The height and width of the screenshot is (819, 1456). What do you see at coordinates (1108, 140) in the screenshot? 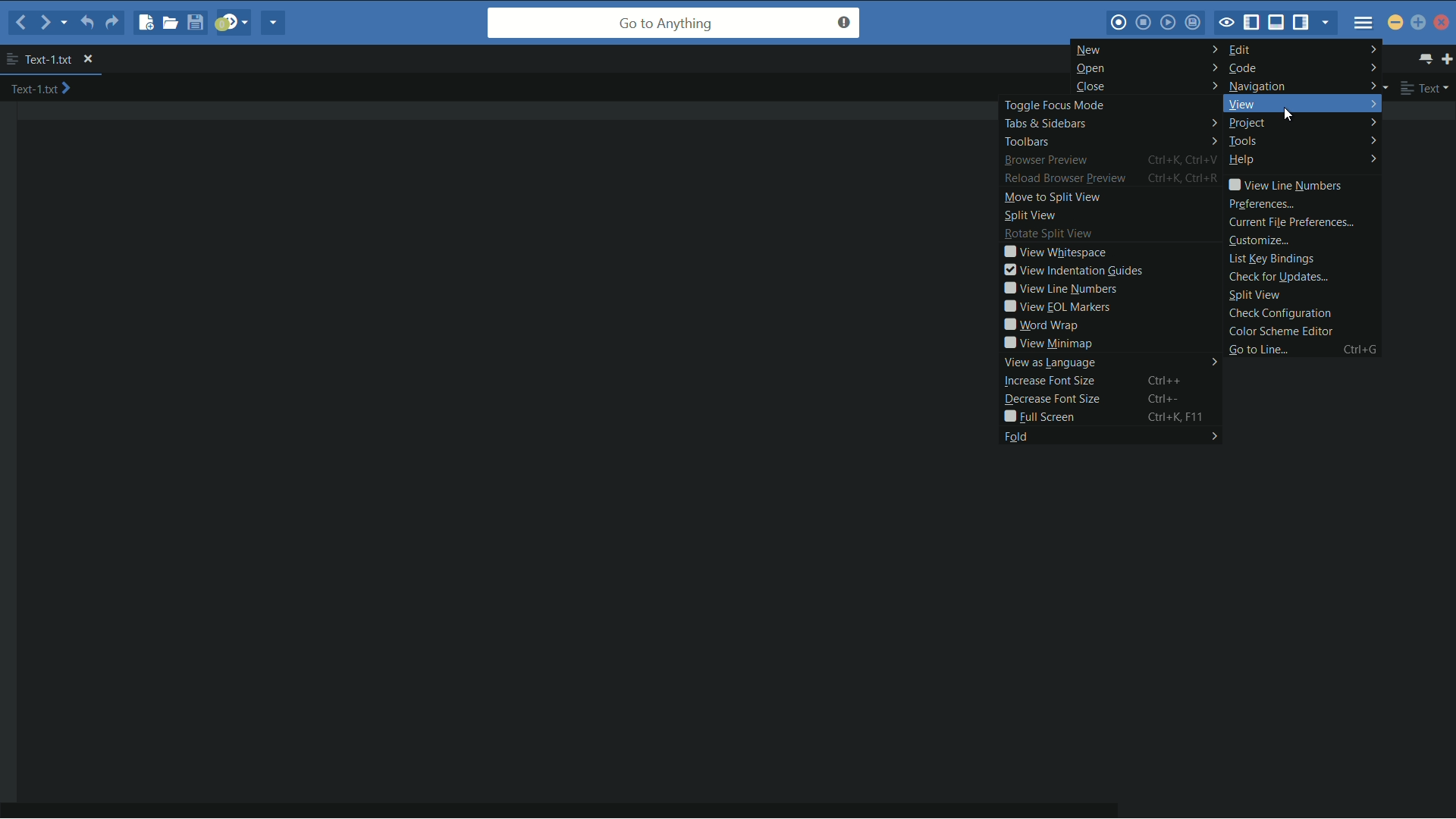
I see `toolbars` at bounding box center [1108, 140].